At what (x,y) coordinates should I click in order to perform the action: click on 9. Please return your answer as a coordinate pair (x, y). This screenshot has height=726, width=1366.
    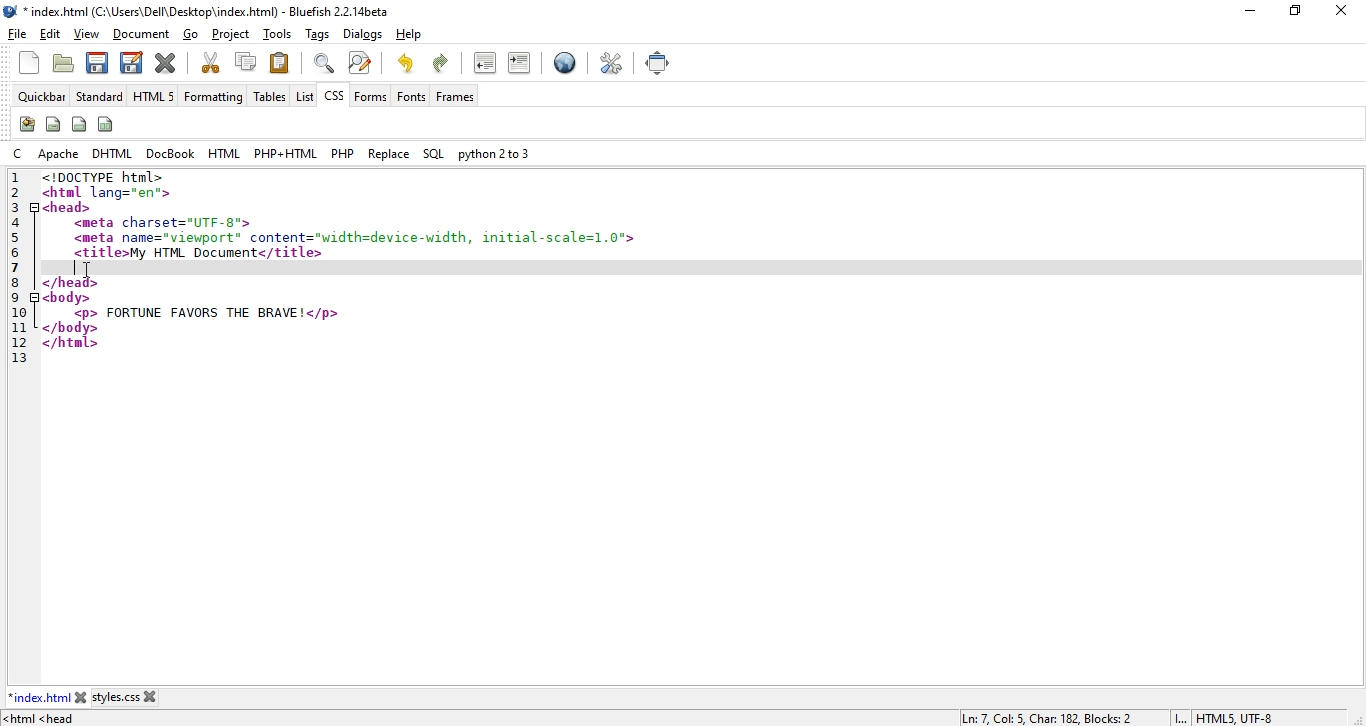
    Looking at the image, I should click on (18, 297).